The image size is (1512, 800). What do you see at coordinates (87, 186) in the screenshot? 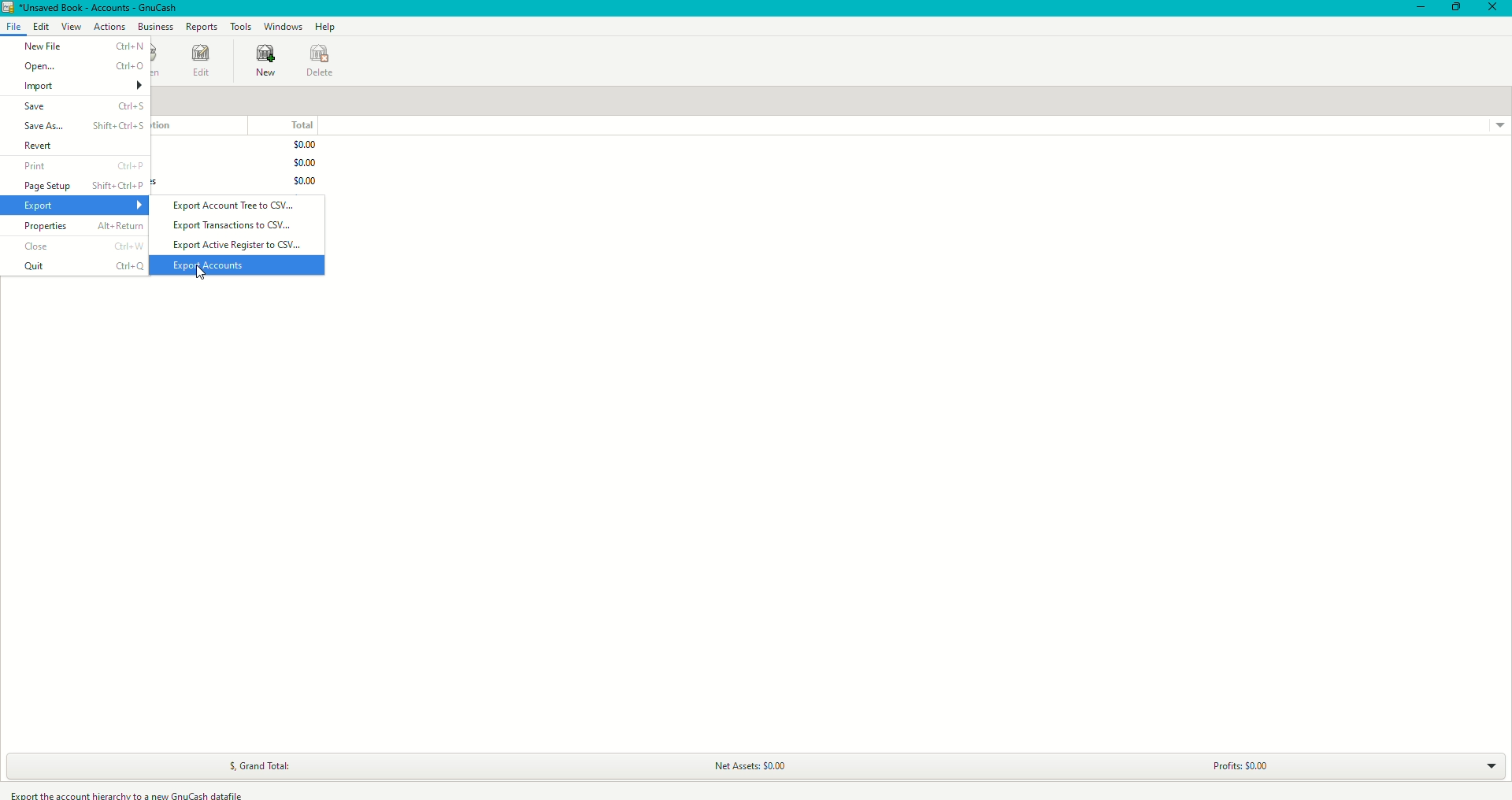
I see `Page Setup` at bounding box center [87, 186].